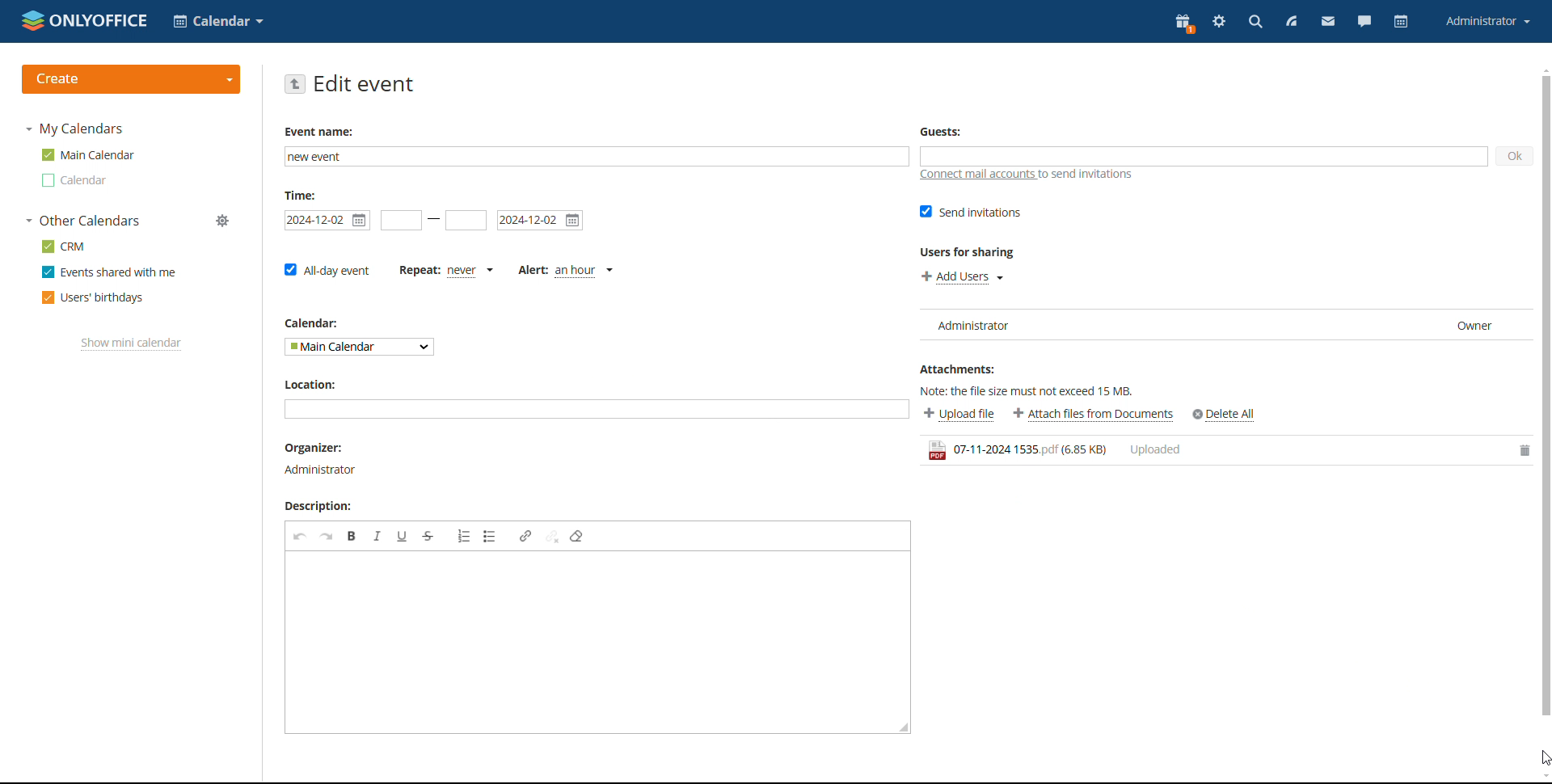 The width and height of the screenshot is (1552, 784). Describe the element at coordinates (327, 536) in the screenshot. I see `redo` at that location.